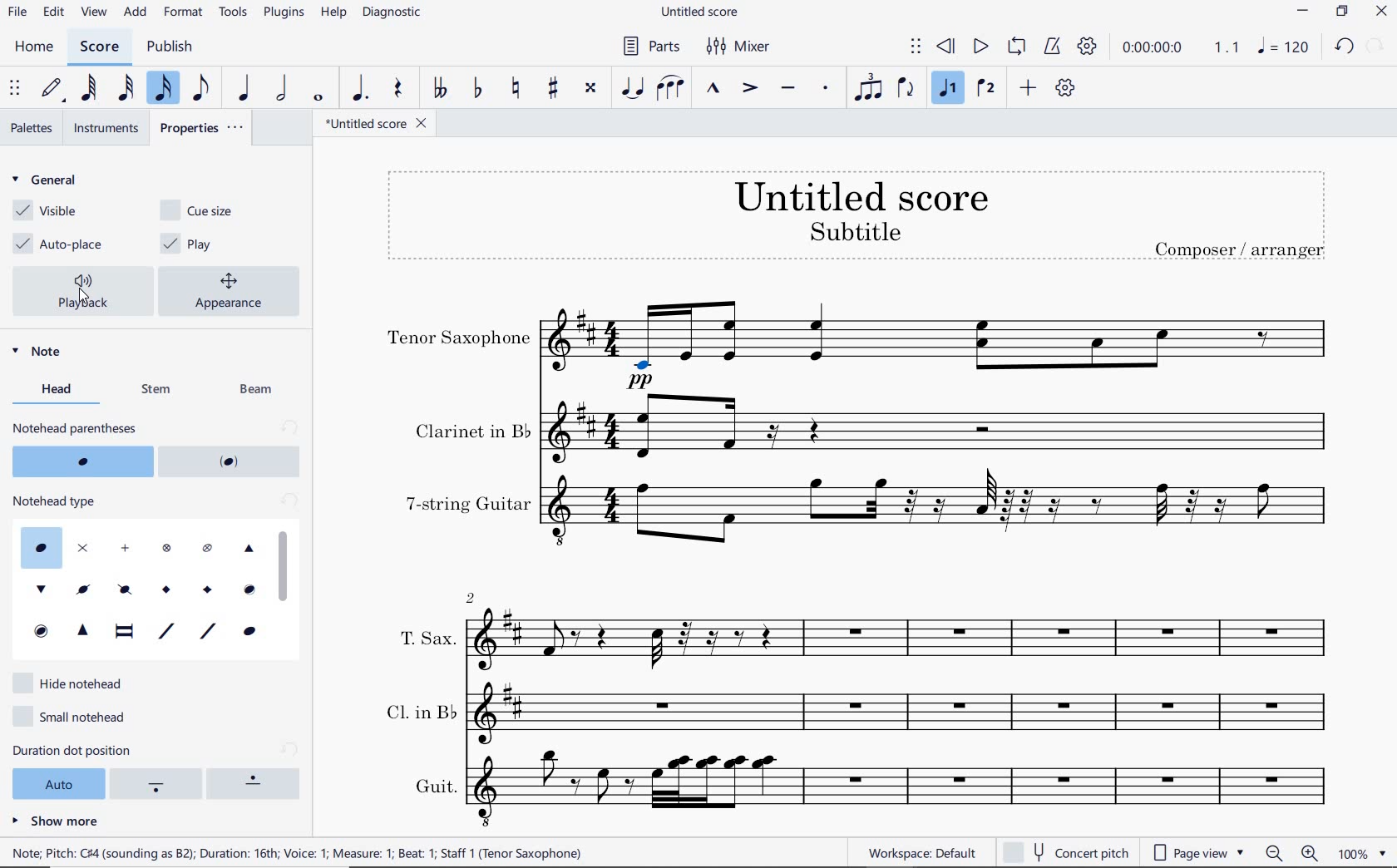 This screenshot has height=868, width=1397. I want to click on text, so click(459, 339).